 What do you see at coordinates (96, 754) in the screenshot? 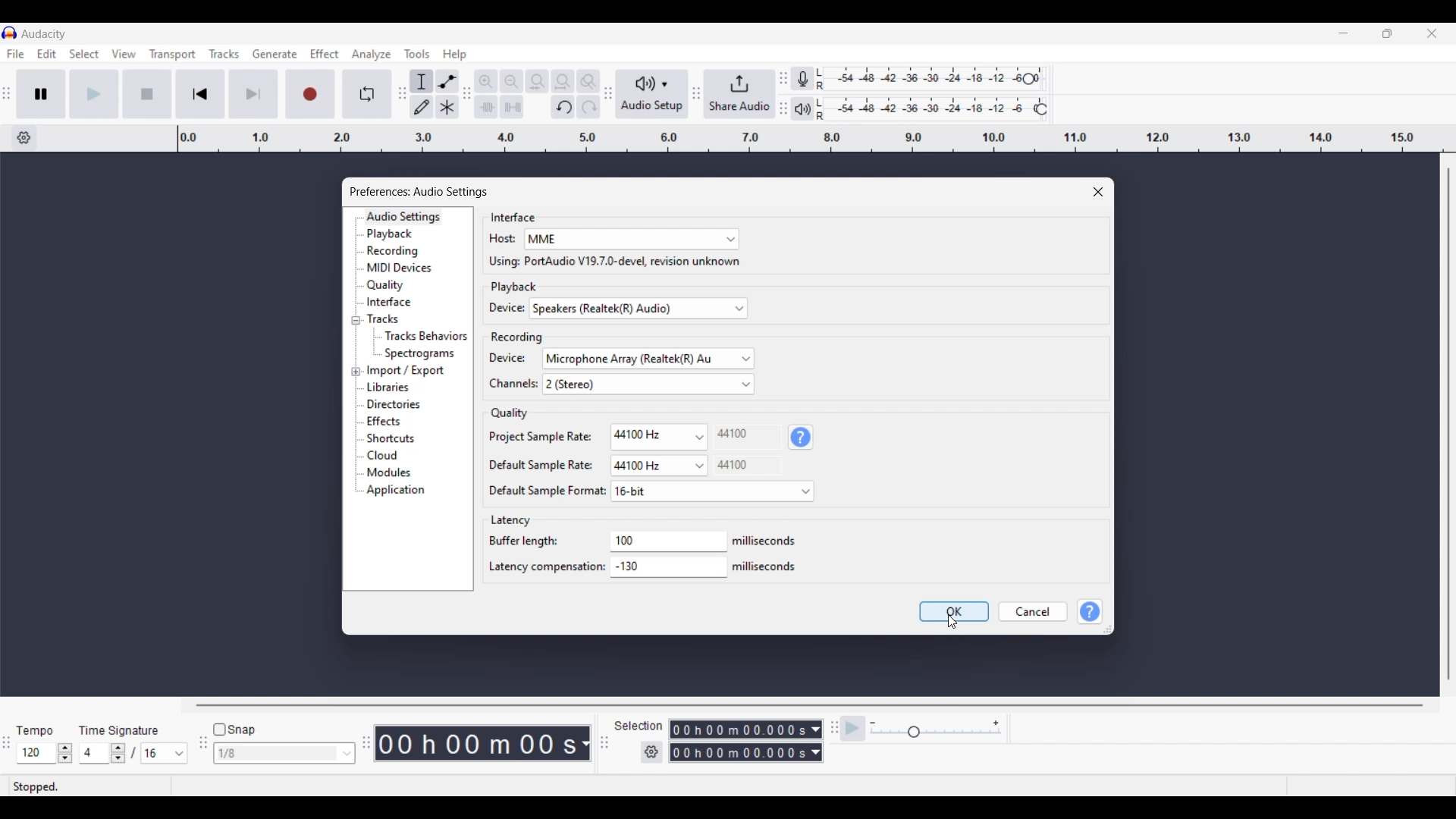
I see `Selected time signature` at bounding box center [96, 754].